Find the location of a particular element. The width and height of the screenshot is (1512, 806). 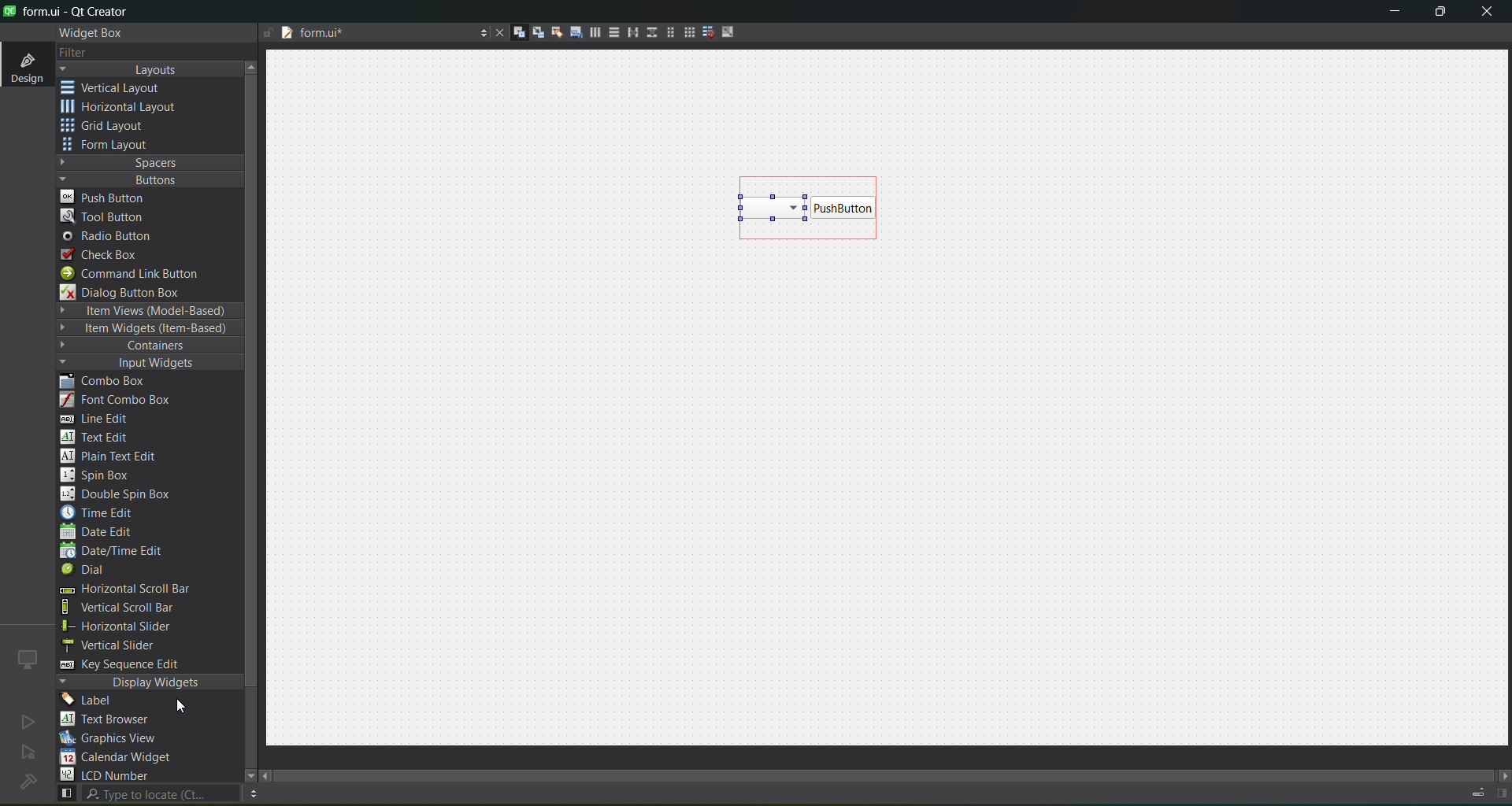

key sequence edit is located at coordinates (131, 665).